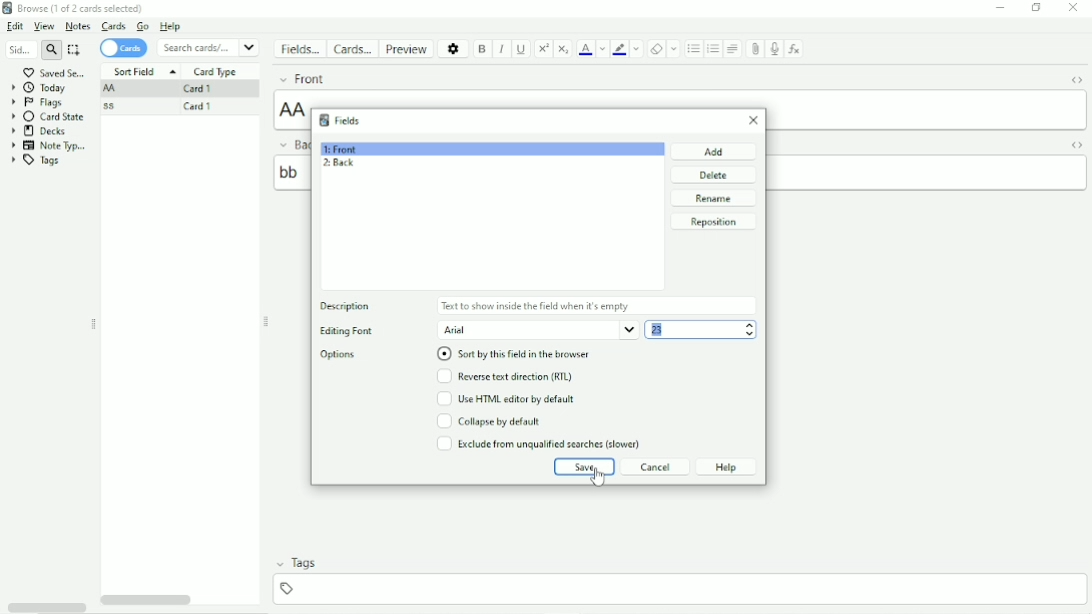 This screenshot has width=1092, height=614. Describe the element at coordinates (204, 108) in the screenshot. I see `Card 1` at that location.